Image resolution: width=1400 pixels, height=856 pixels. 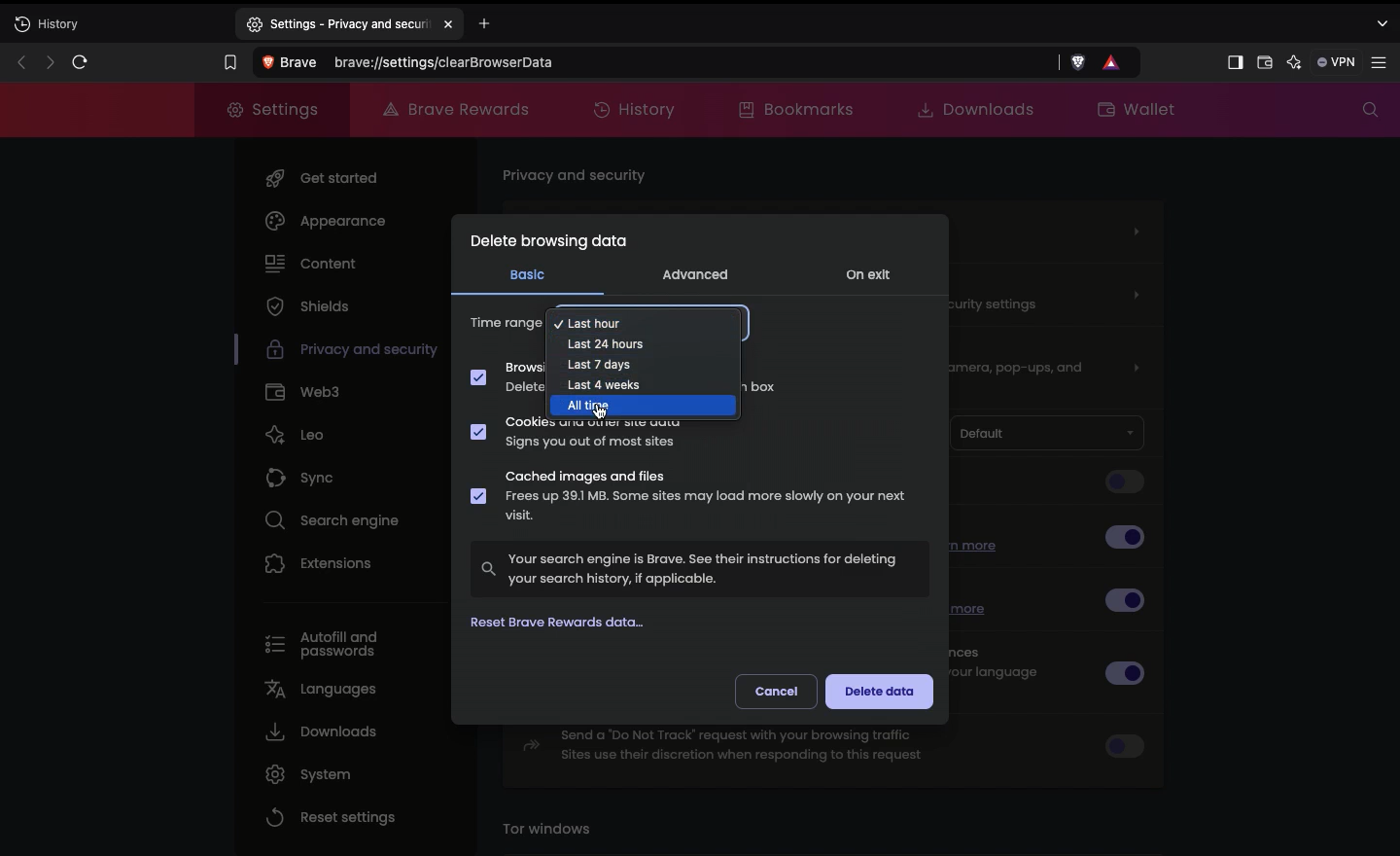 I want to click on Downloads, so click(x=970, y=109).